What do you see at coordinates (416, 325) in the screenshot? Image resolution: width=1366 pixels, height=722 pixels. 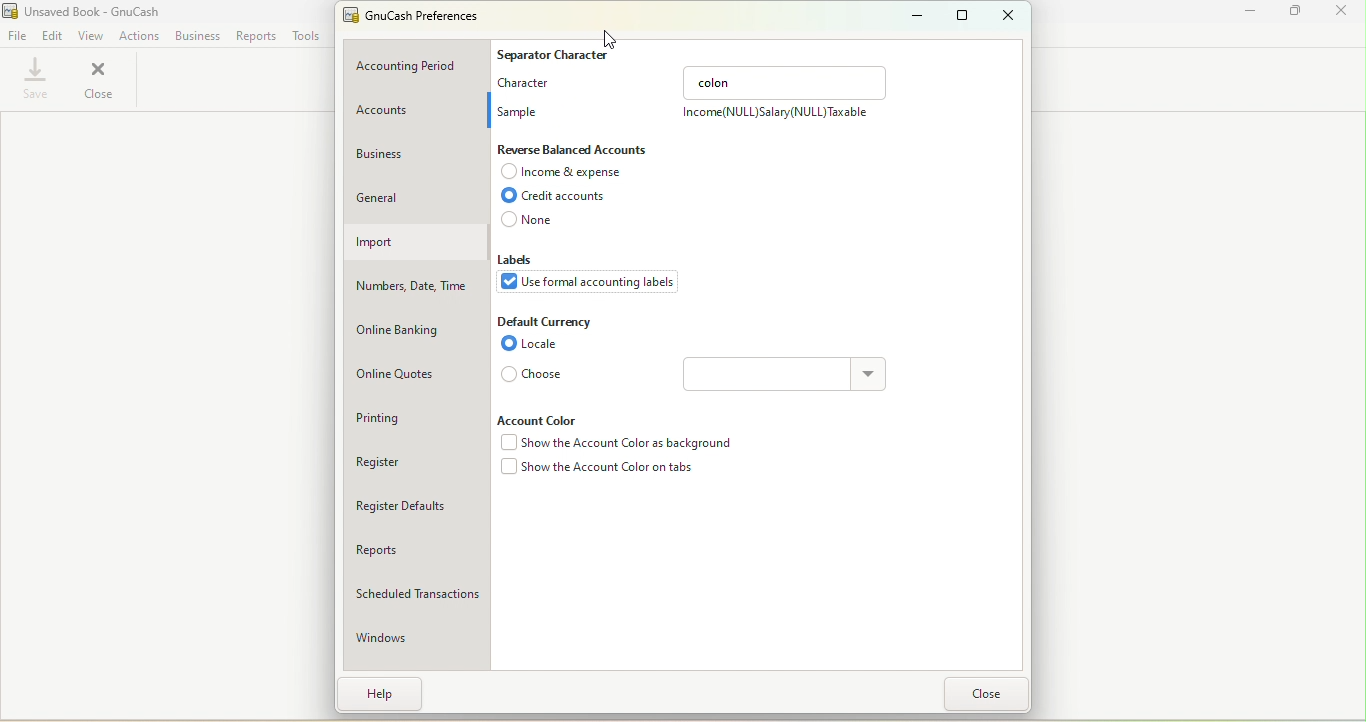 I see `Online banking` at bounding box center [416, 325].